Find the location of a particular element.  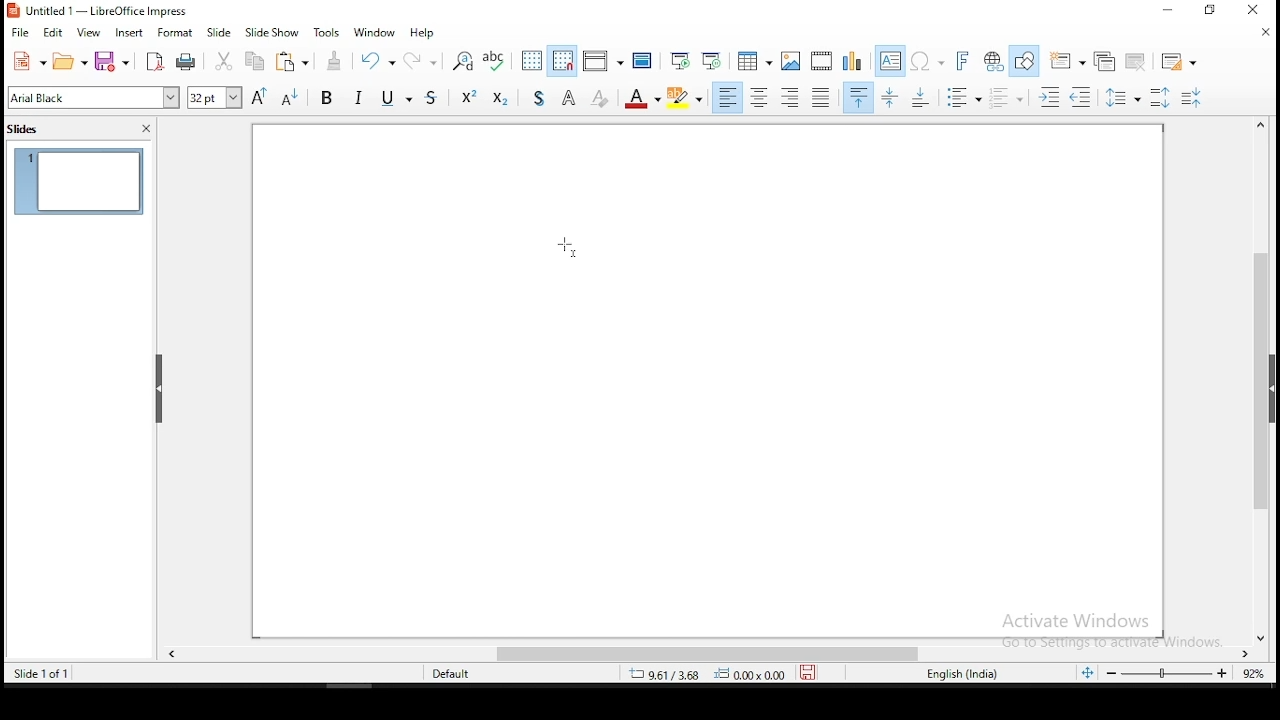

Underline is located at coordinates (395, 96).